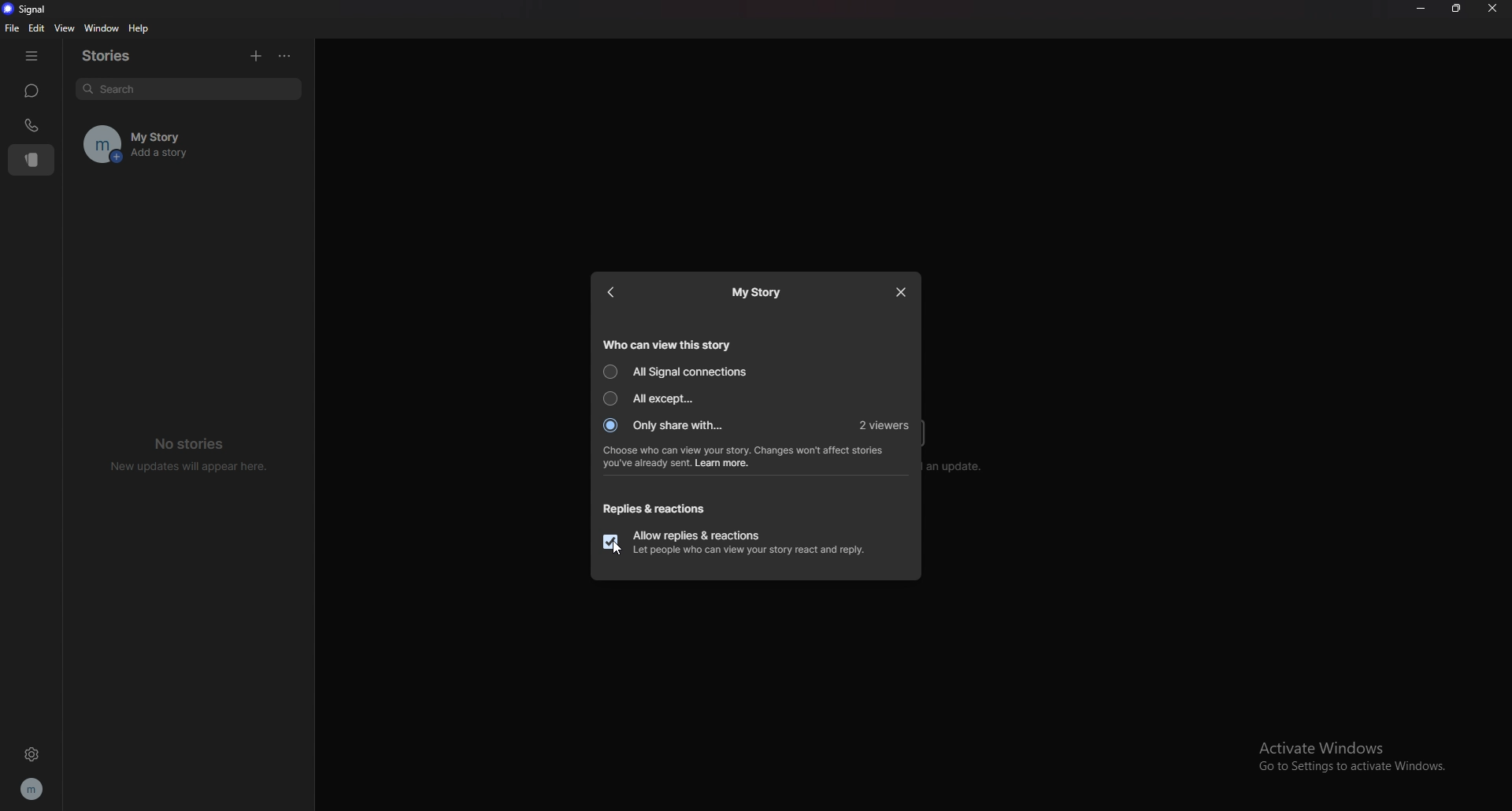  Describe the element at coordinates (1456, 9) in the screenshot. I see `resize` at that location.